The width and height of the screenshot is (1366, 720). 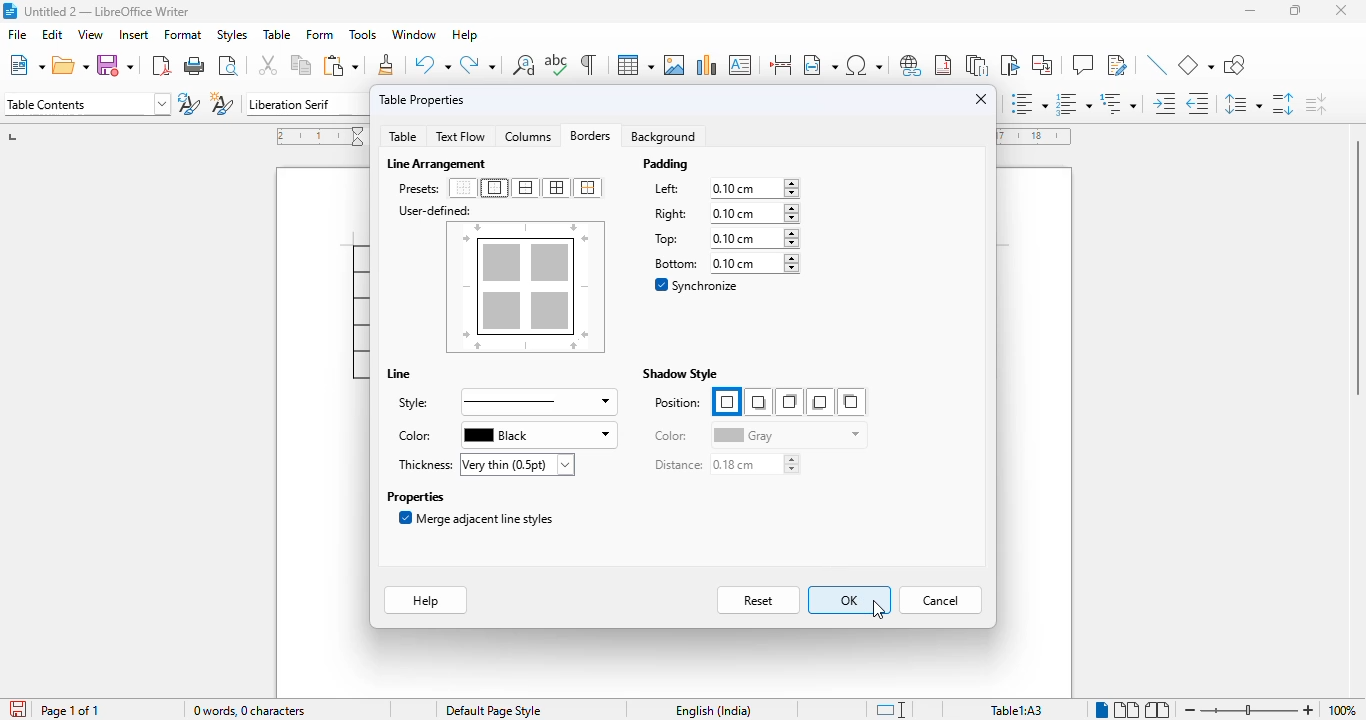 I want to click on zoom factor, so click(x=1342, y=710).